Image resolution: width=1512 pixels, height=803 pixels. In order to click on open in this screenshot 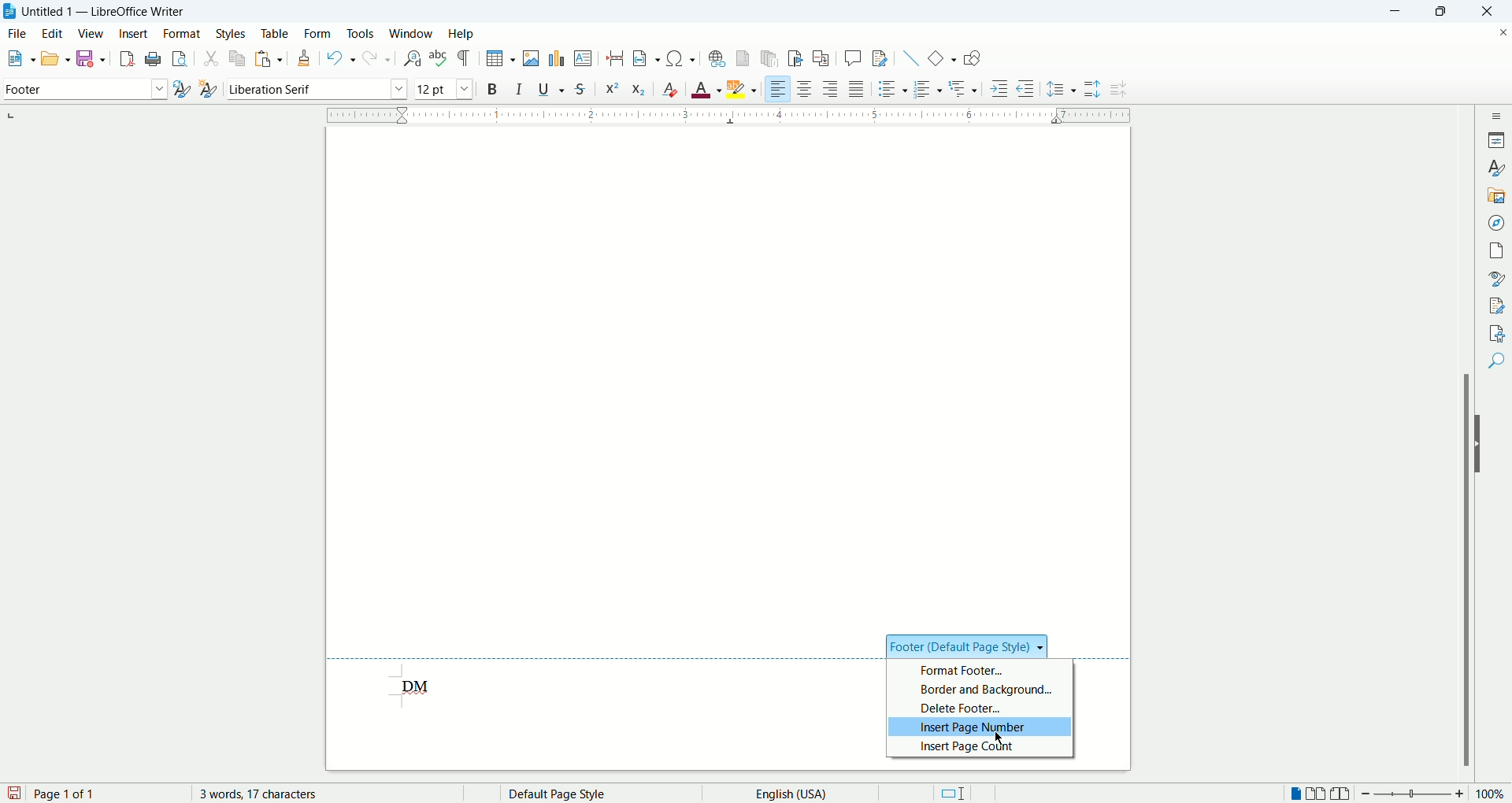, I will do `click(17, 60)`.